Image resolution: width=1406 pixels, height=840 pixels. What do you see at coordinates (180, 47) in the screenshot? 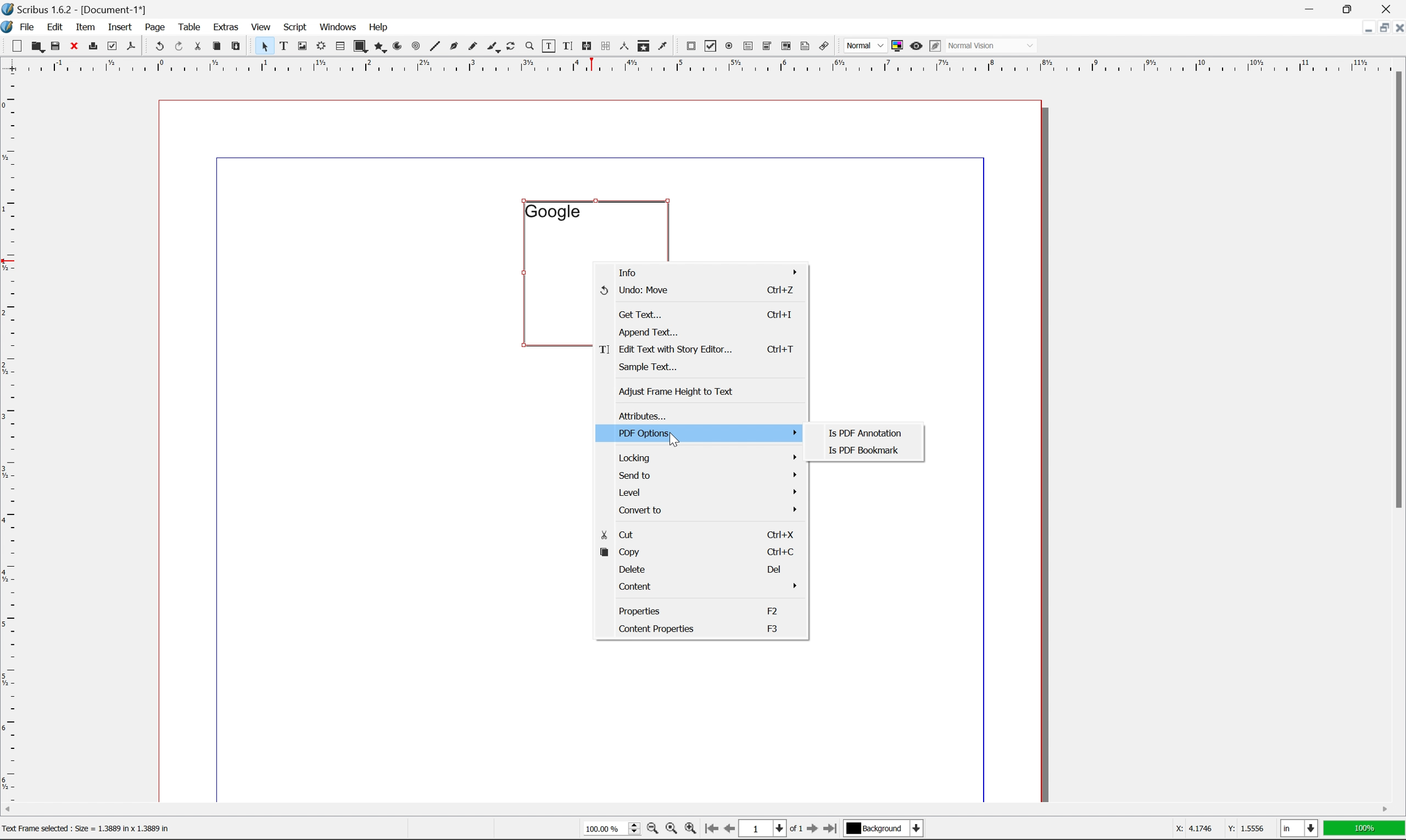
I see `redo` at bounding box center [180, 47].